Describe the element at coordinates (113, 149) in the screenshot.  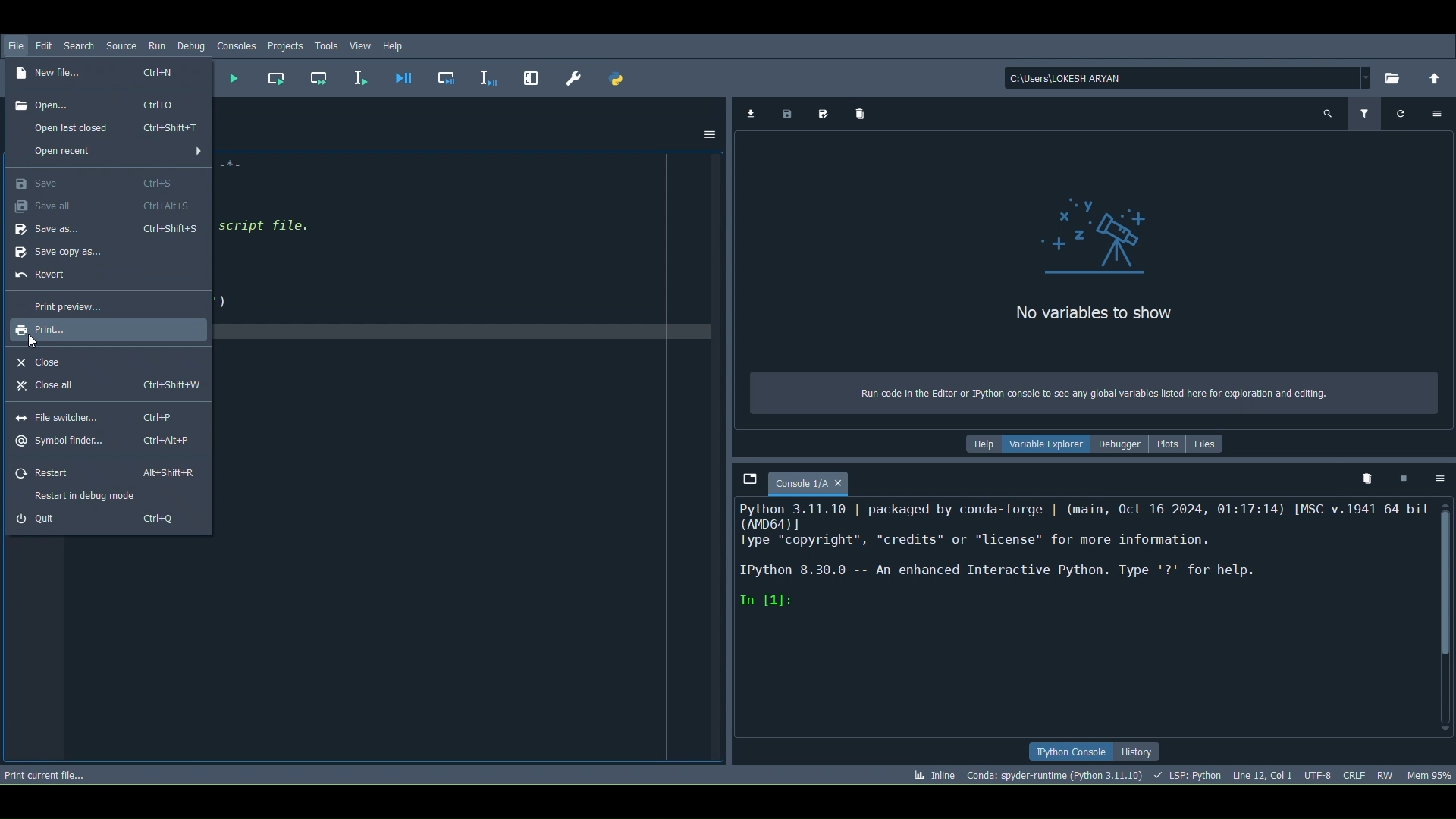
I see `Open recent` at that location.